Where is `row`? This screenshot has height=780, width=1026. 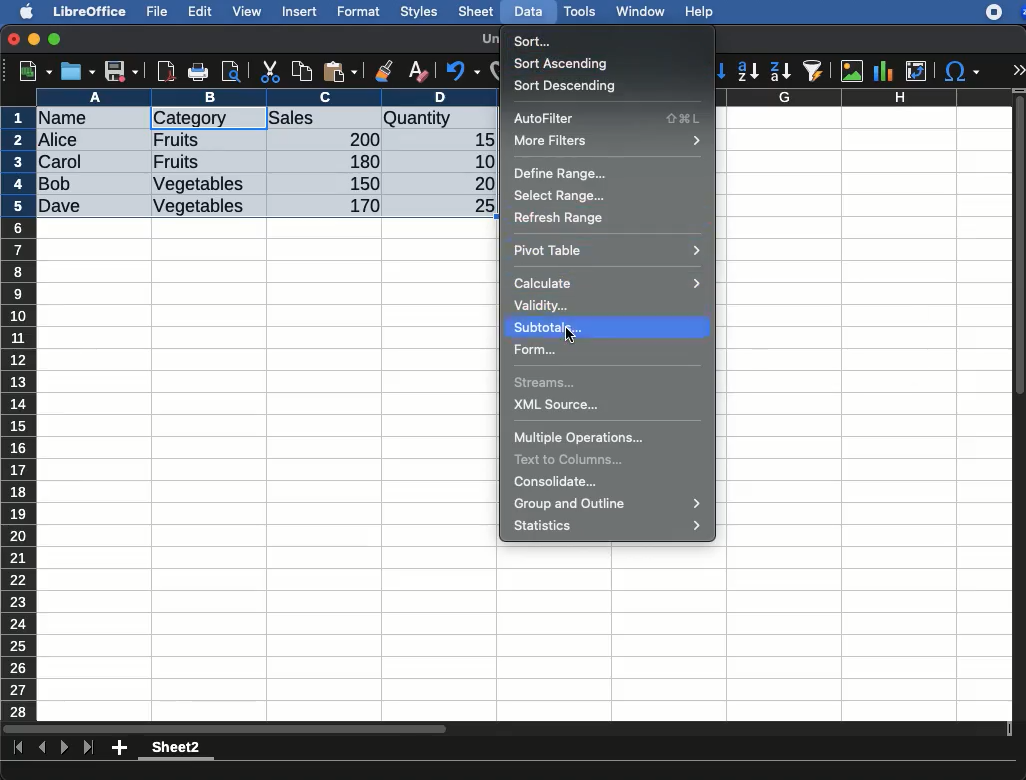 row is located at coordinates (20, 413).